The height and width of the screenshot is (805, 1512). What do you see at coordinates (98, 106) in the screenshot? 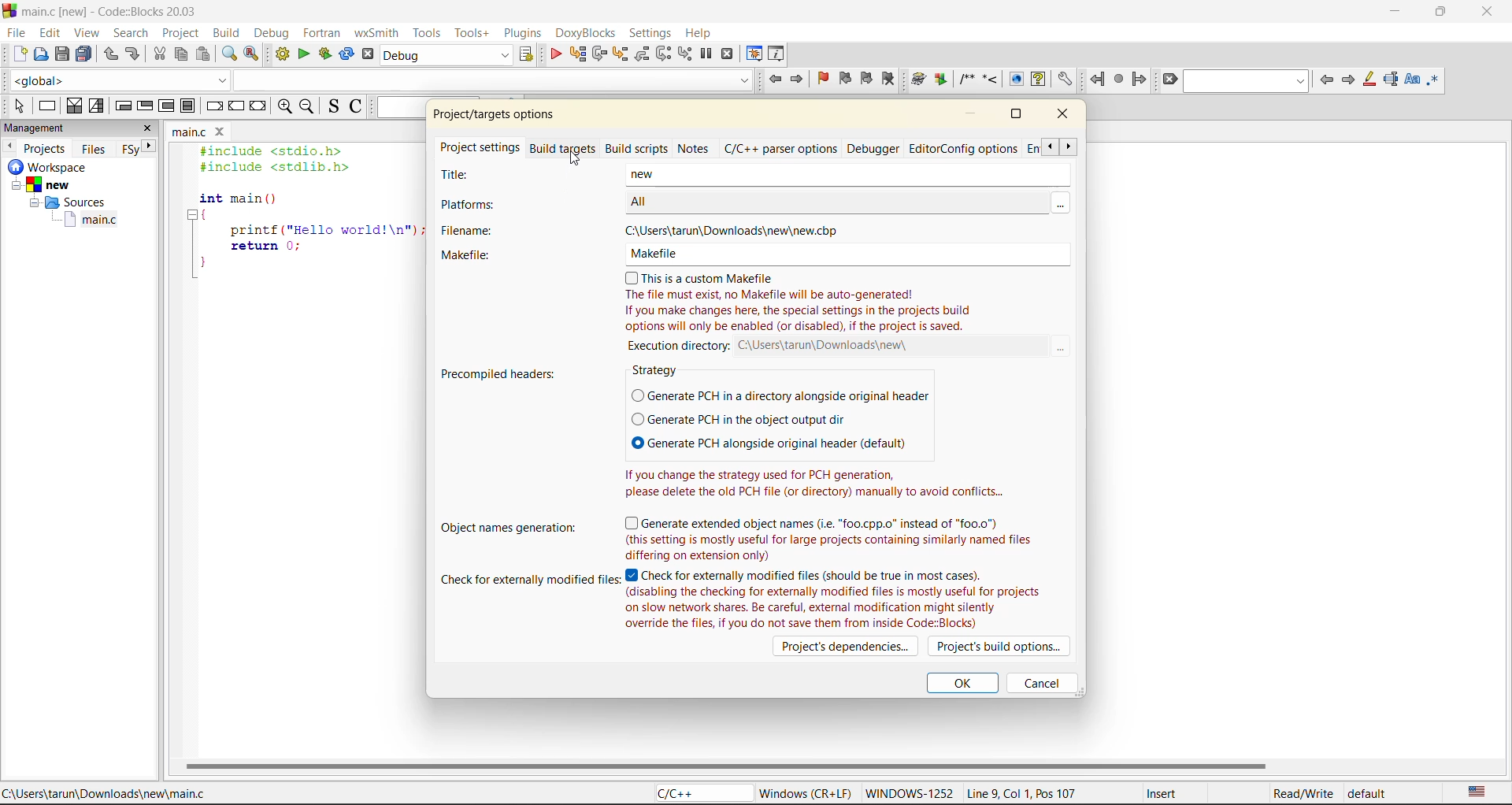
I see `selection` at bounding box center [98, 106].